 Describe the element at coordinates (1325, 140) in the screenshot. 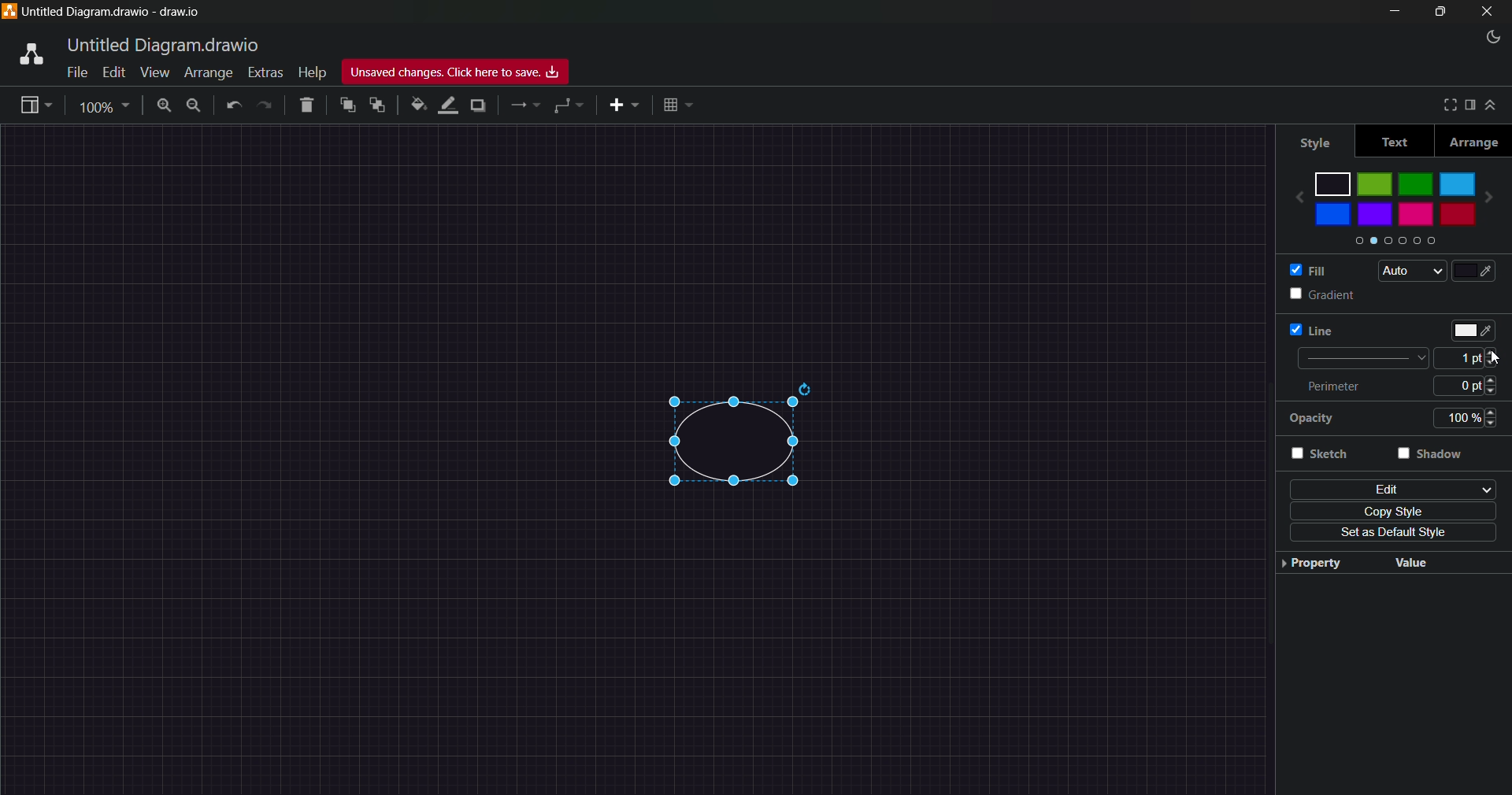

I see `style` at that location.